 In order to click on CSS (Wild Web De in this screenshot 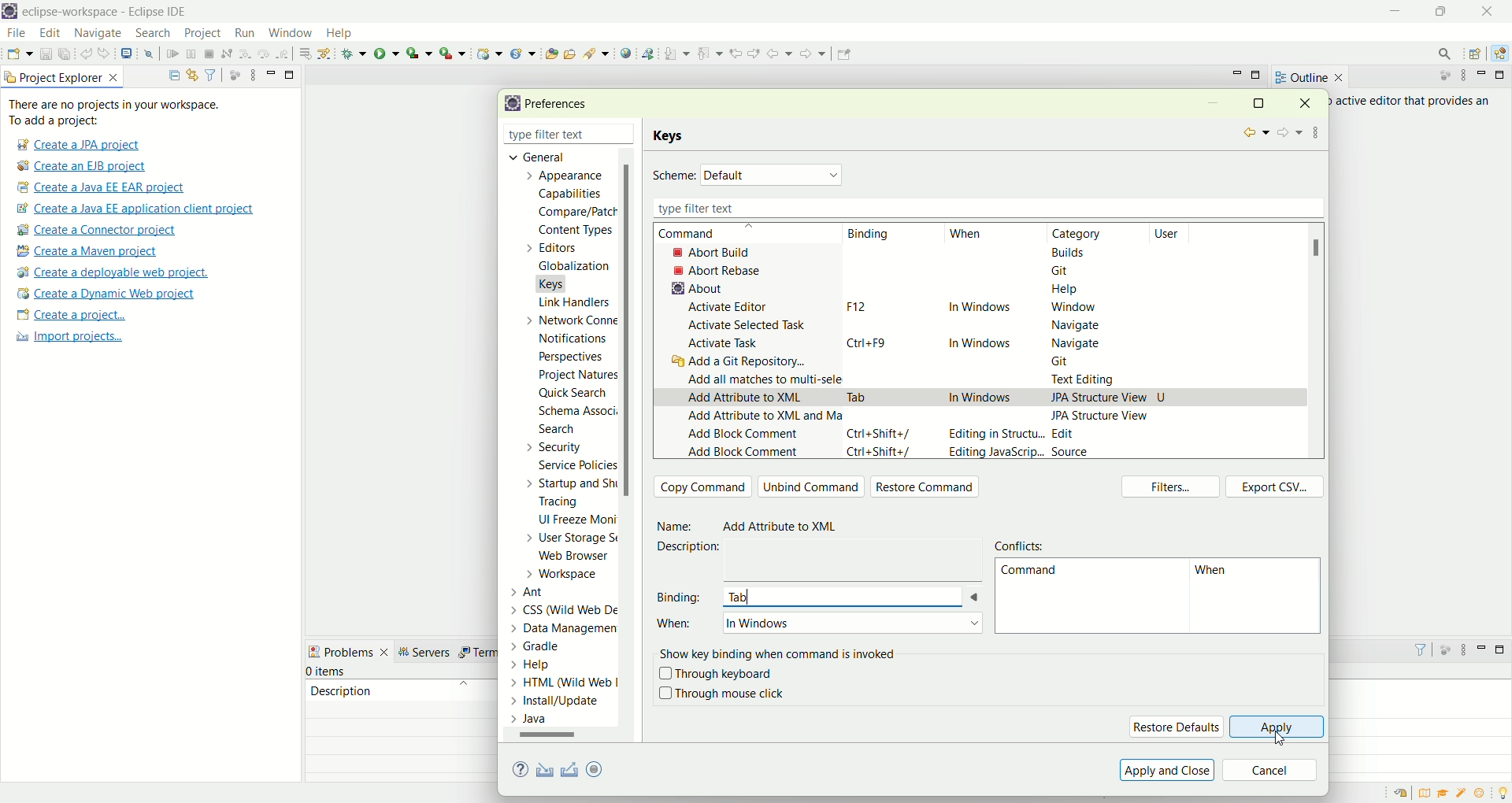, I will do `click(568, 608)`.